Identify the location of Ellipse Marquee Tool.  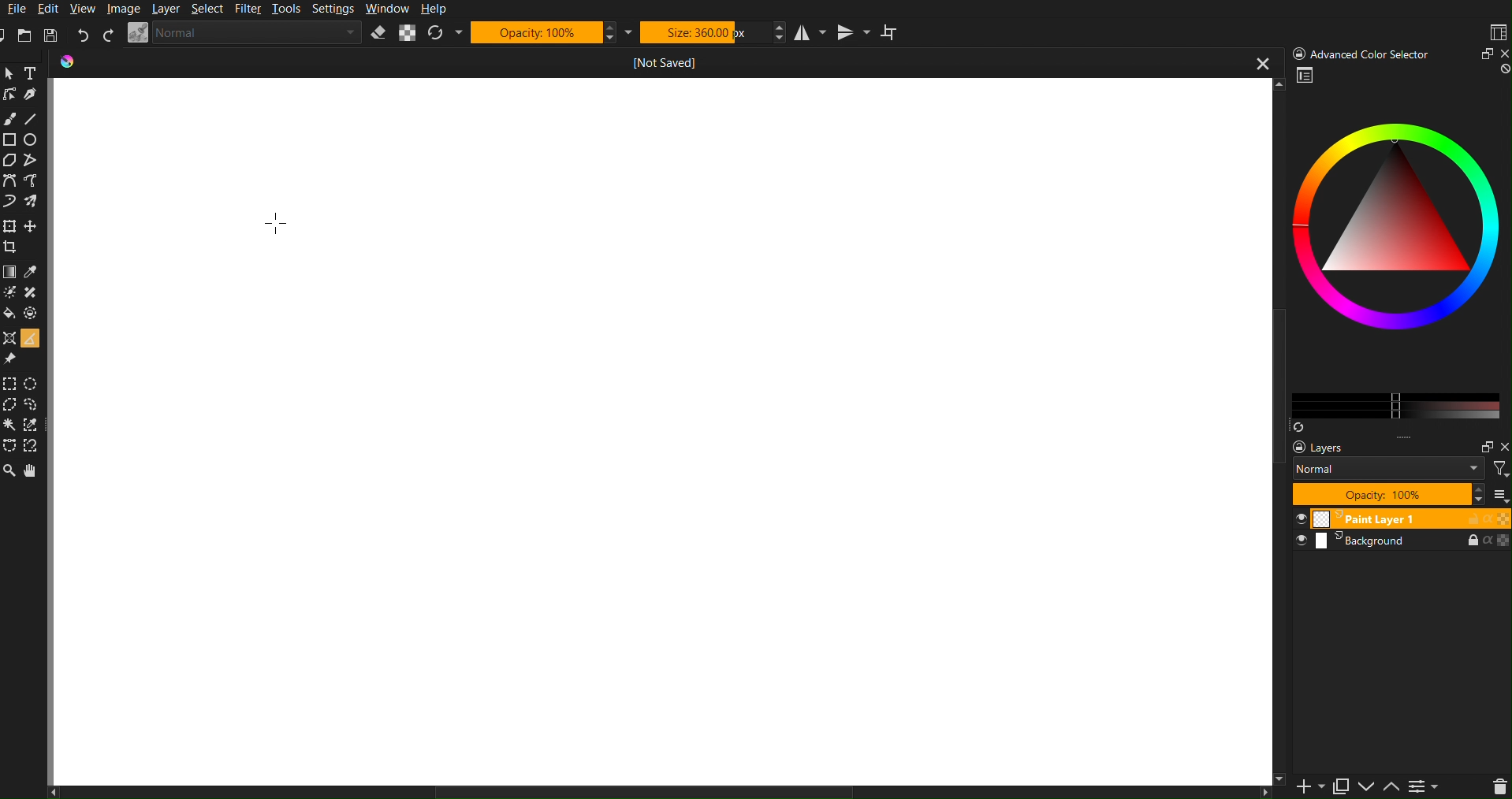
(35, 384).